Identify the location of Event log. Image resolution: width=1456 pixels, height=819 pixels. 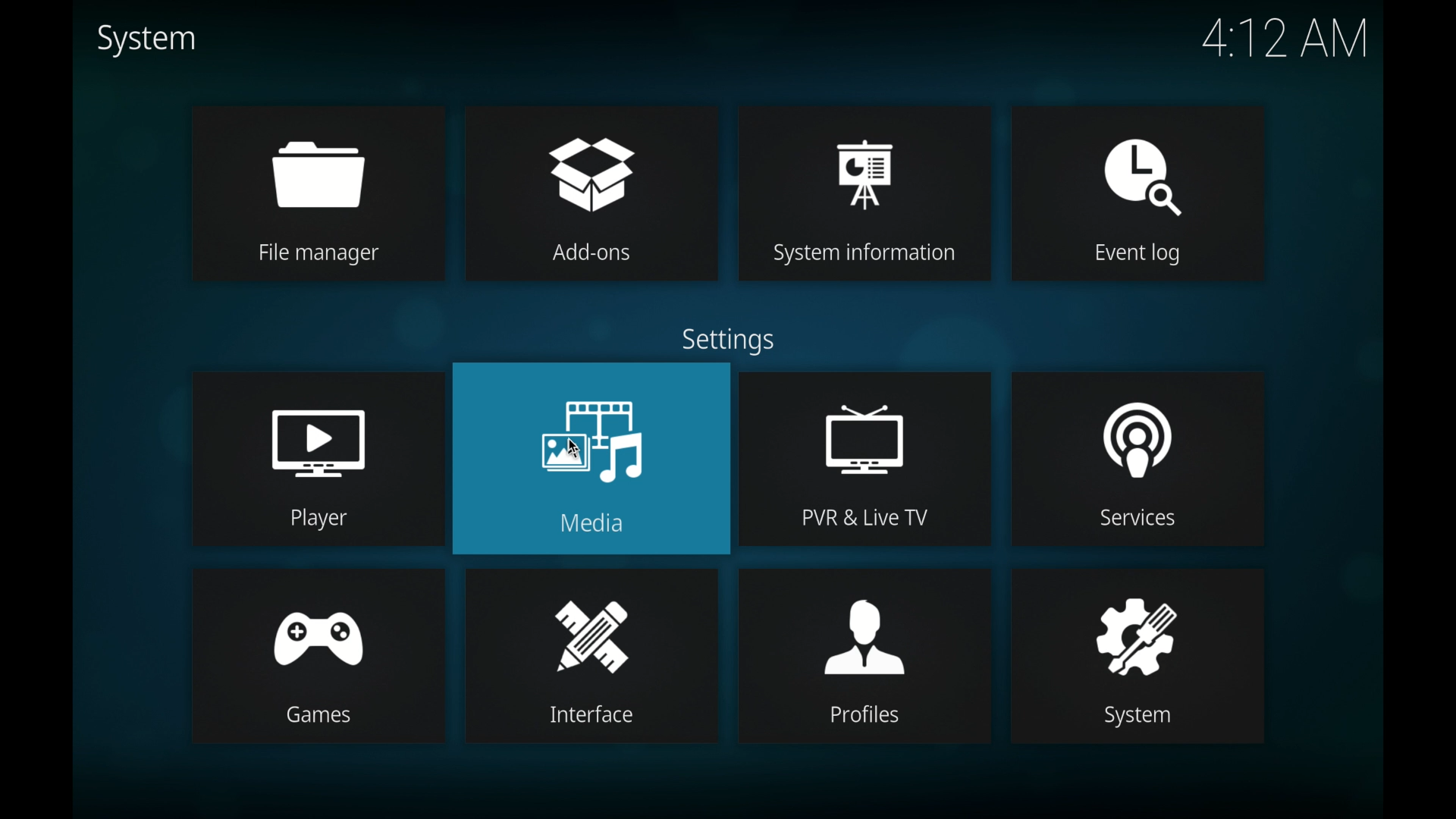
(1144, 255).